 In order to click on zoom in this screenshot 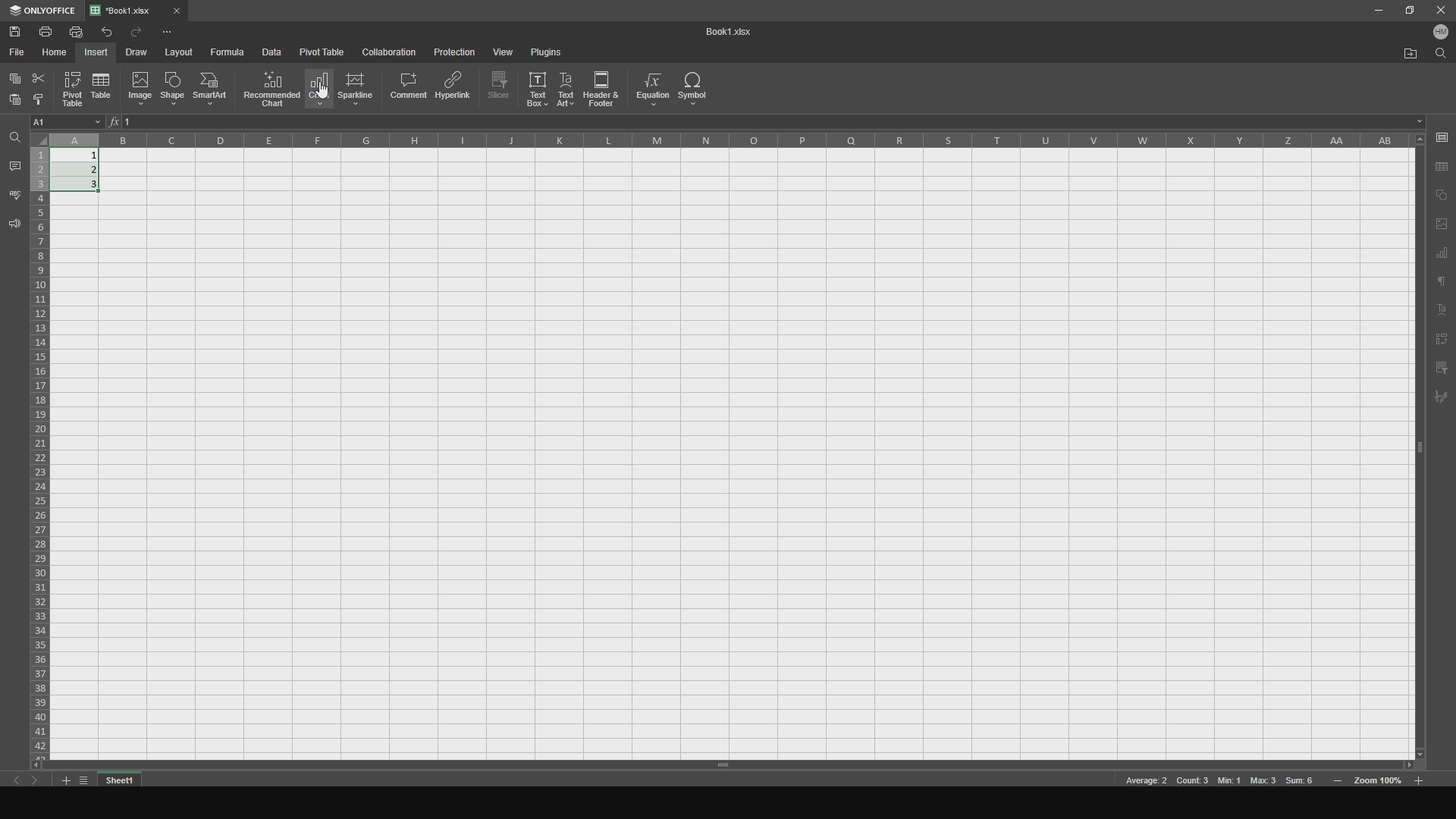, I will do `click(1379, 783)`.